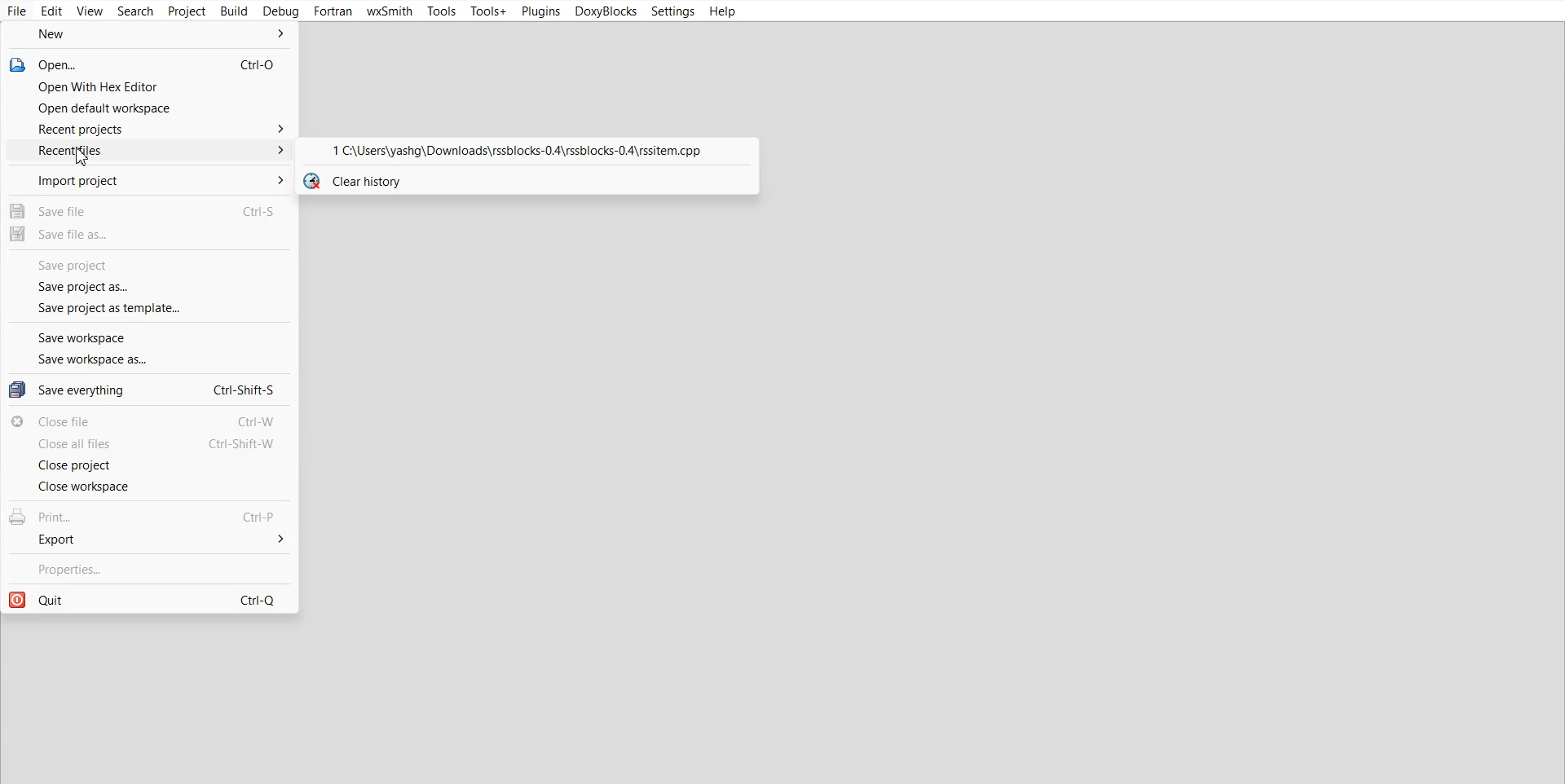 This screenshot has height=784, width=1565. What do you see at coordinates (148, 487) in the screenshot?
I see `Close workspace` at bounding box center [148, 487].